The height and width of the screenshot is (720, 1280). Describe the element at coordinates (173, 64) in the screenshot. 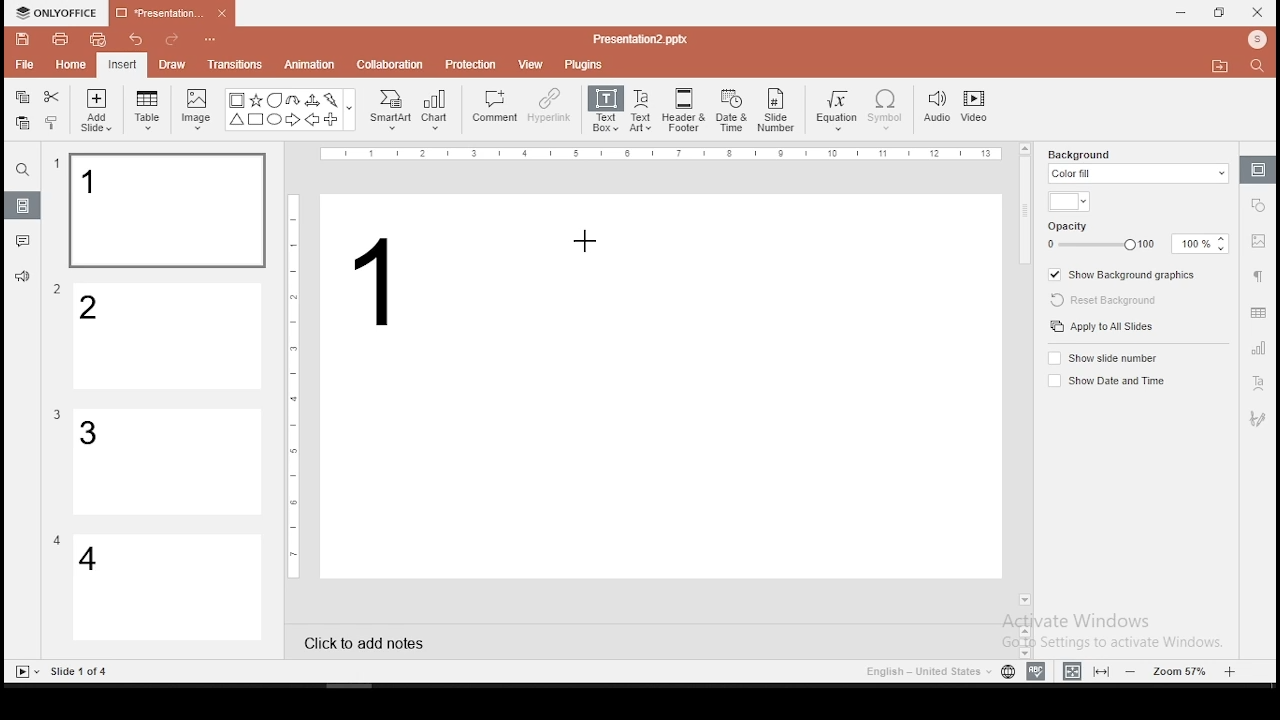

I see `draw` at that location.